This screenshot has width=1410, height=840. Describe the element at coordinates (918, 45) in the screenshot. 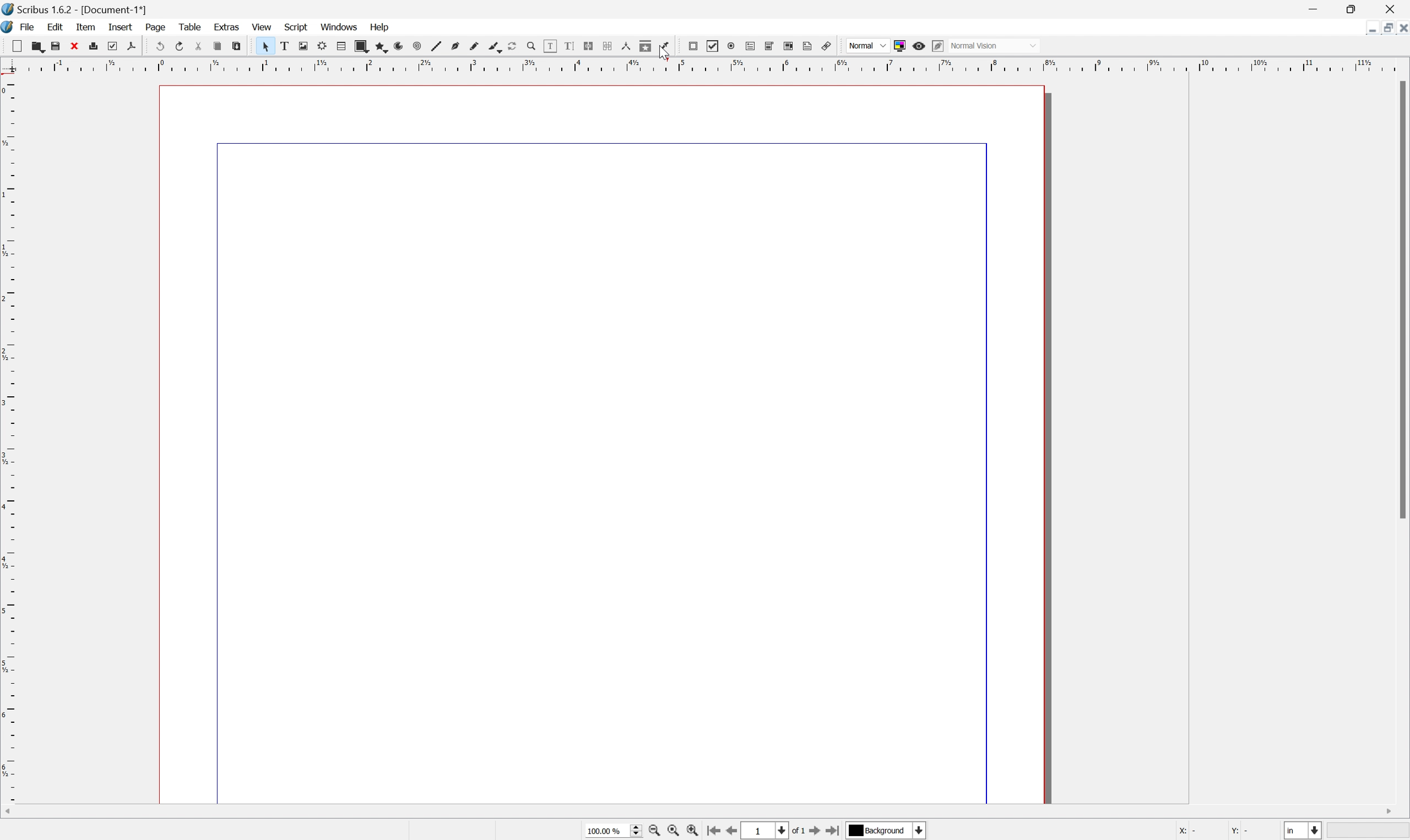

I see `Preview mode` at that location.